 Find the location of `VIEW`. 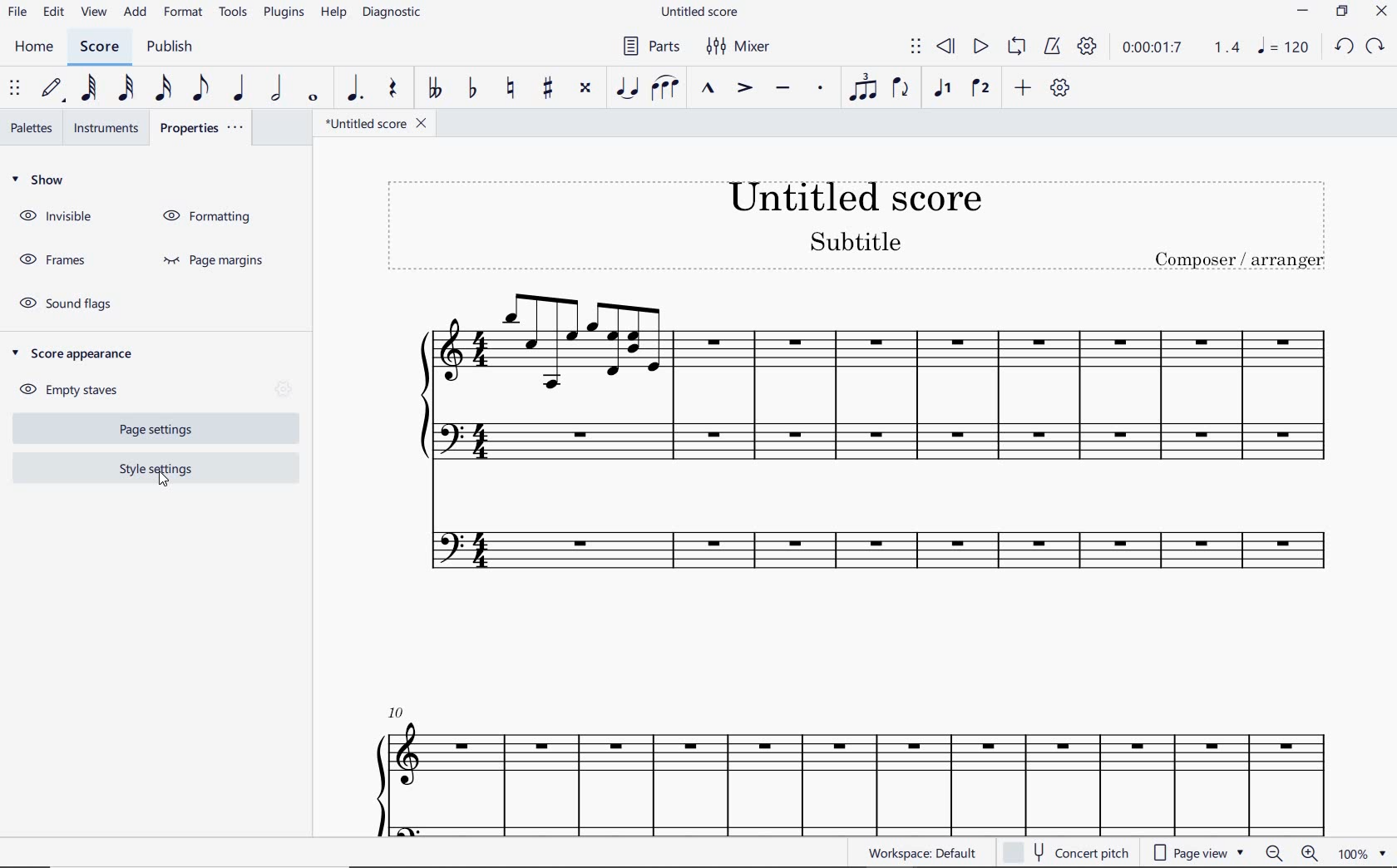

VIEW is located at coordinates (96, 12).